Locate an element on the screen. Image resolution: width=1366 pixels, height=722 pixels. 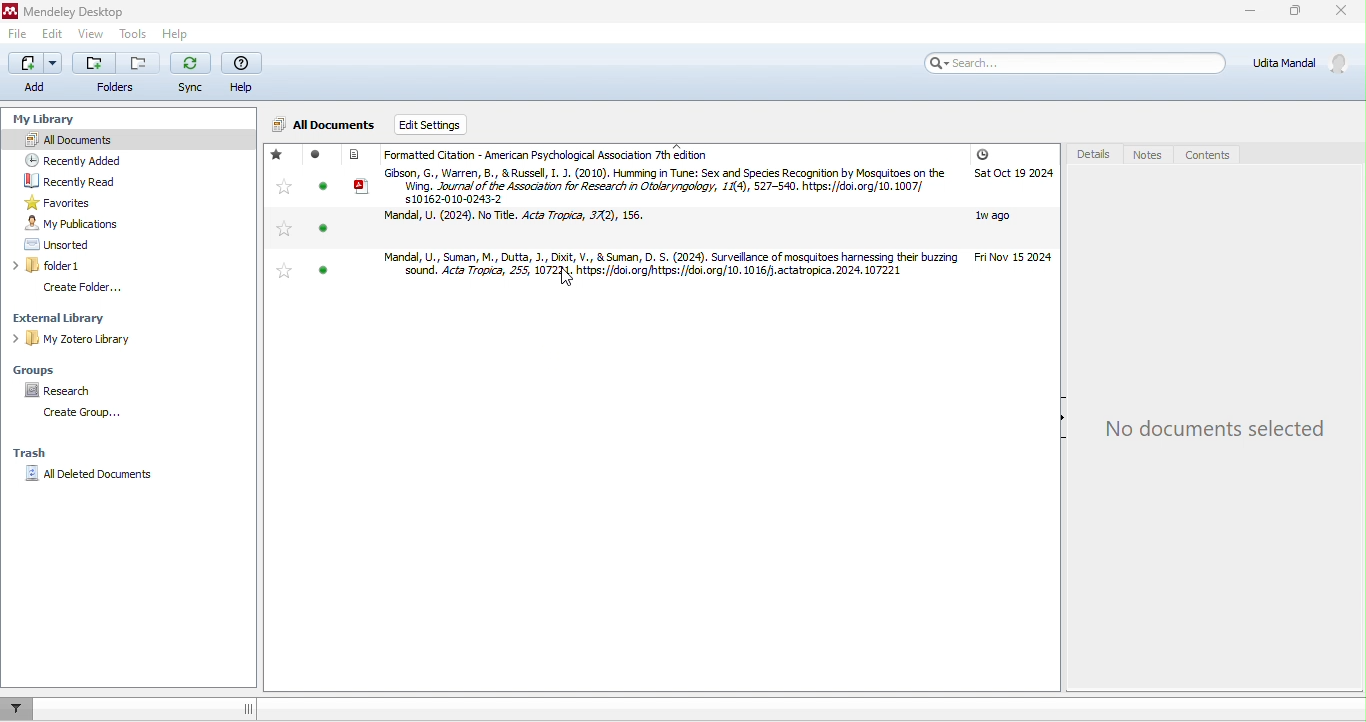
notes is located at coordinates (1149, 155).